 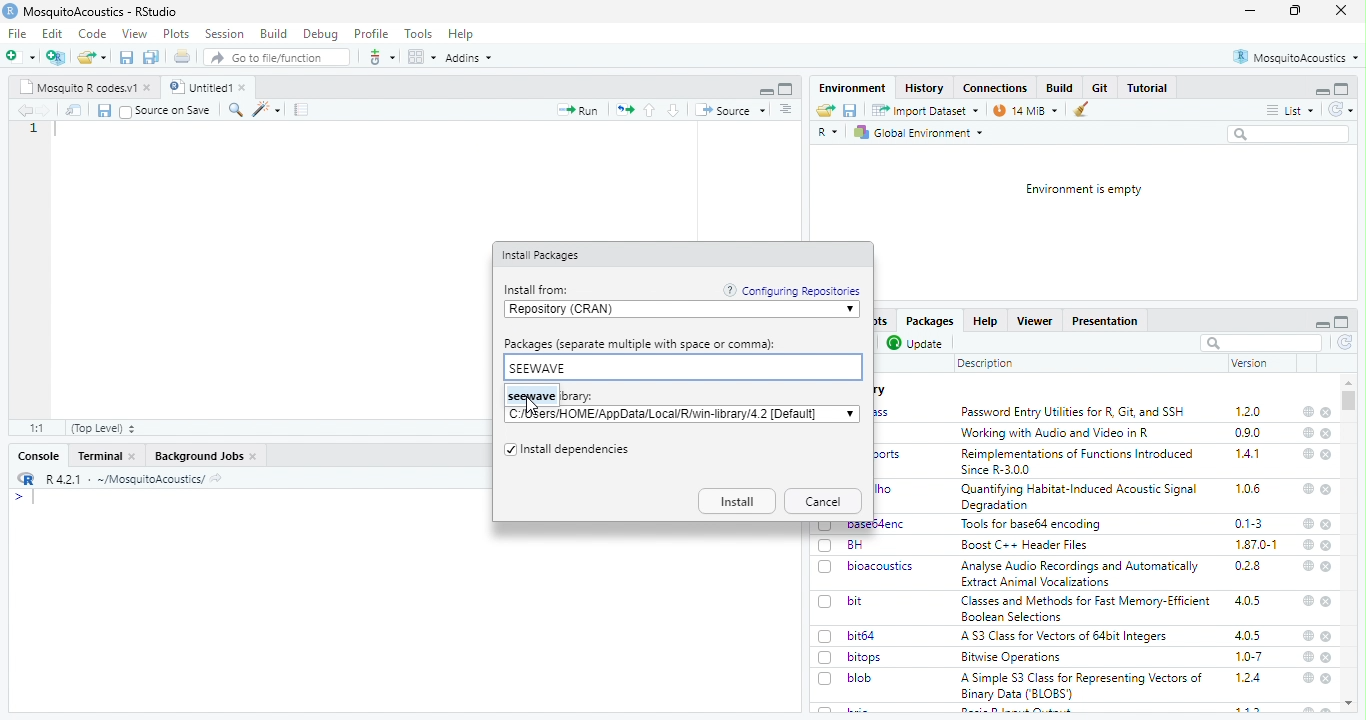 What do you see at coordinates (34, 498) in the screenshot?
I see `typing indicator` at bounding box center [34, 498].